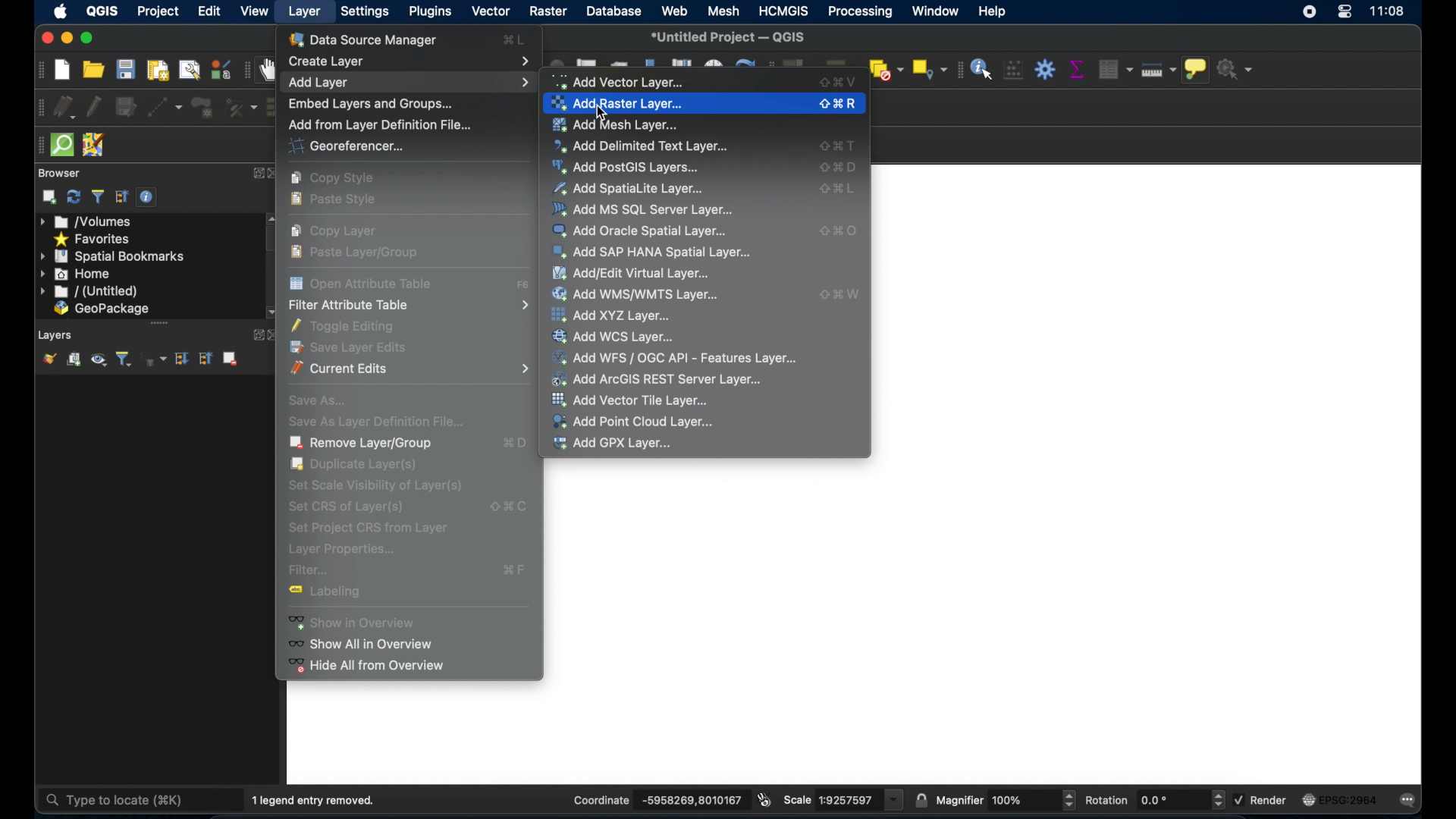 The height and width of the screenshot is (819, 1456). What do you see at coordinates (516, 570) in the screenshot?
I see `filter shortcut` at bounding box center [516, 570].